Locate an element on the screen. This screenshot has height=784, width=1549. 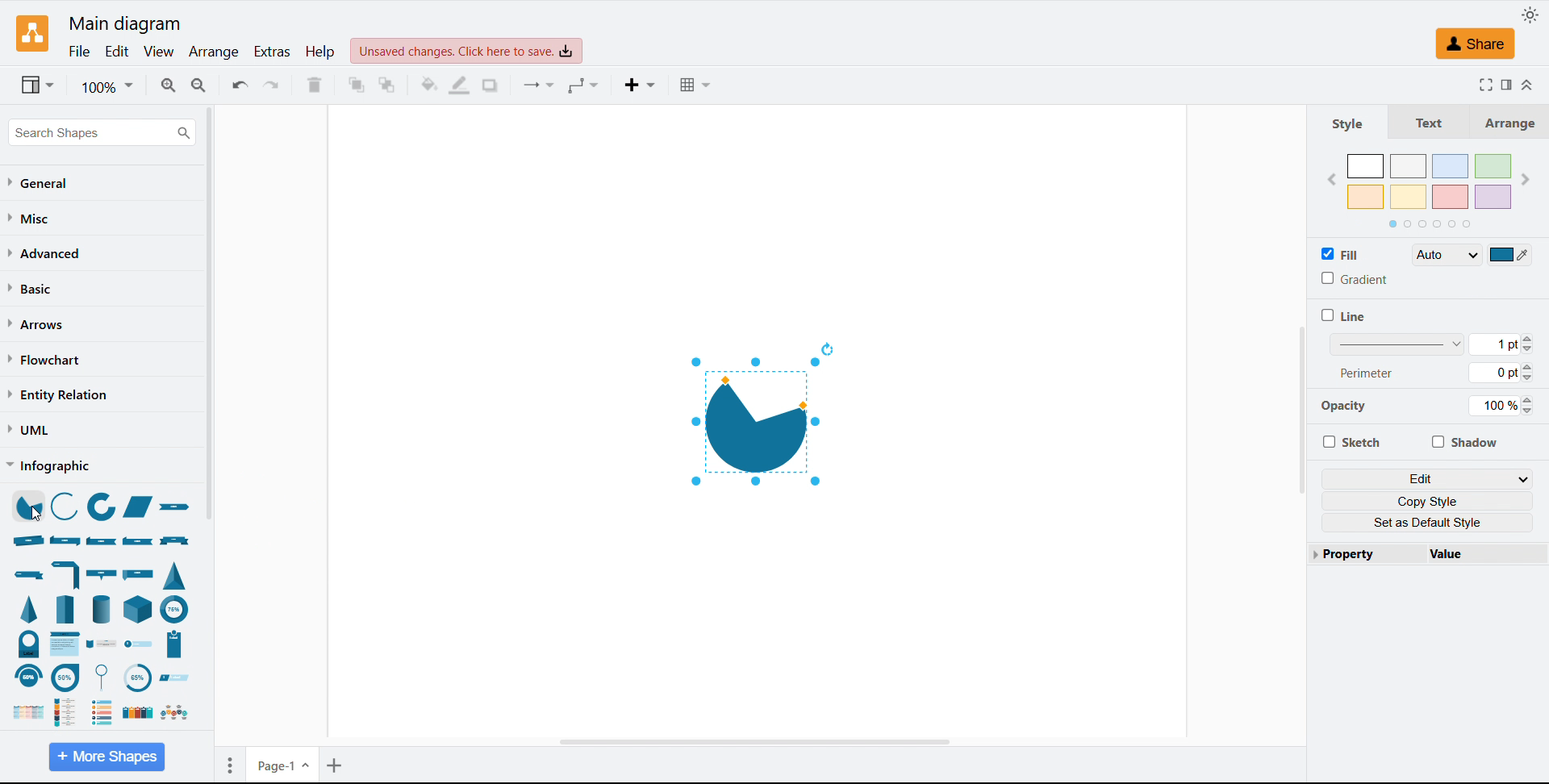
Shadow  is located at coordinates (1466, 441).